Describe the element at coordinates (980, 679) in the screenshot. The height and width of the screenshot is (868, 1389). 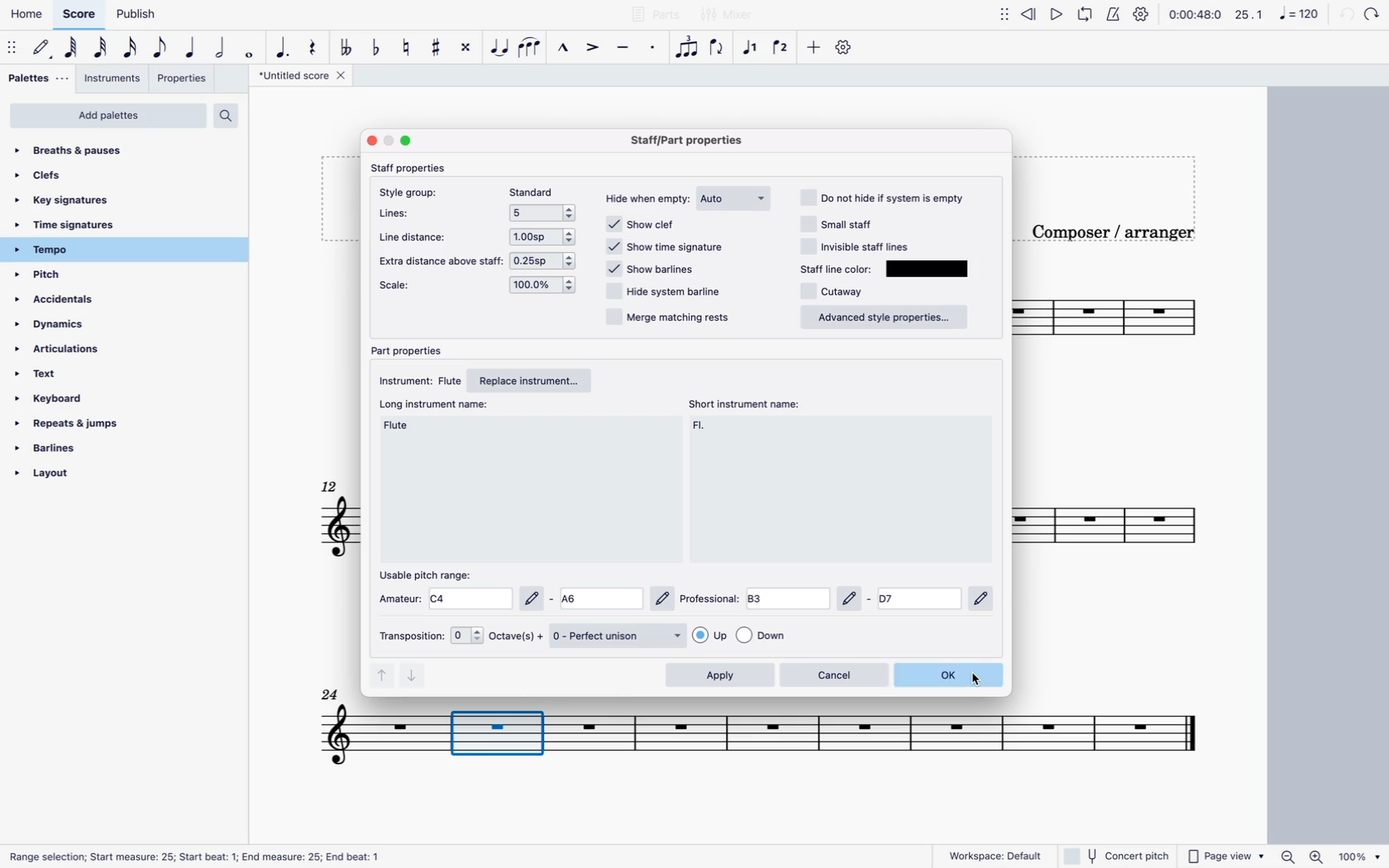
I see `Cursor` at that location.